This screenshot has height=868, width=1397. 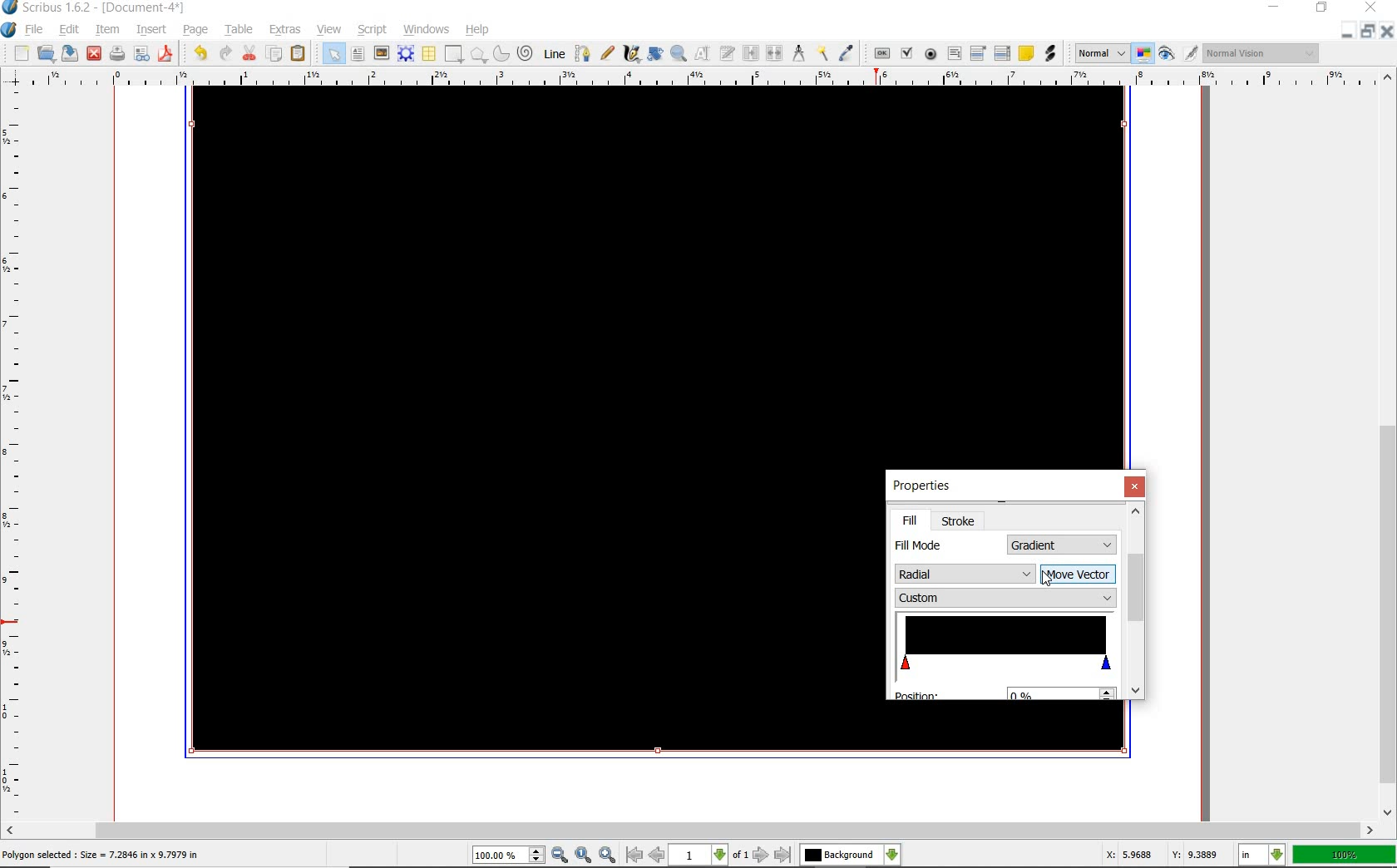 What do you see at coordinates (762, 855) in the screenshot?
I see `go to next page` at bounding box center [762, 855].